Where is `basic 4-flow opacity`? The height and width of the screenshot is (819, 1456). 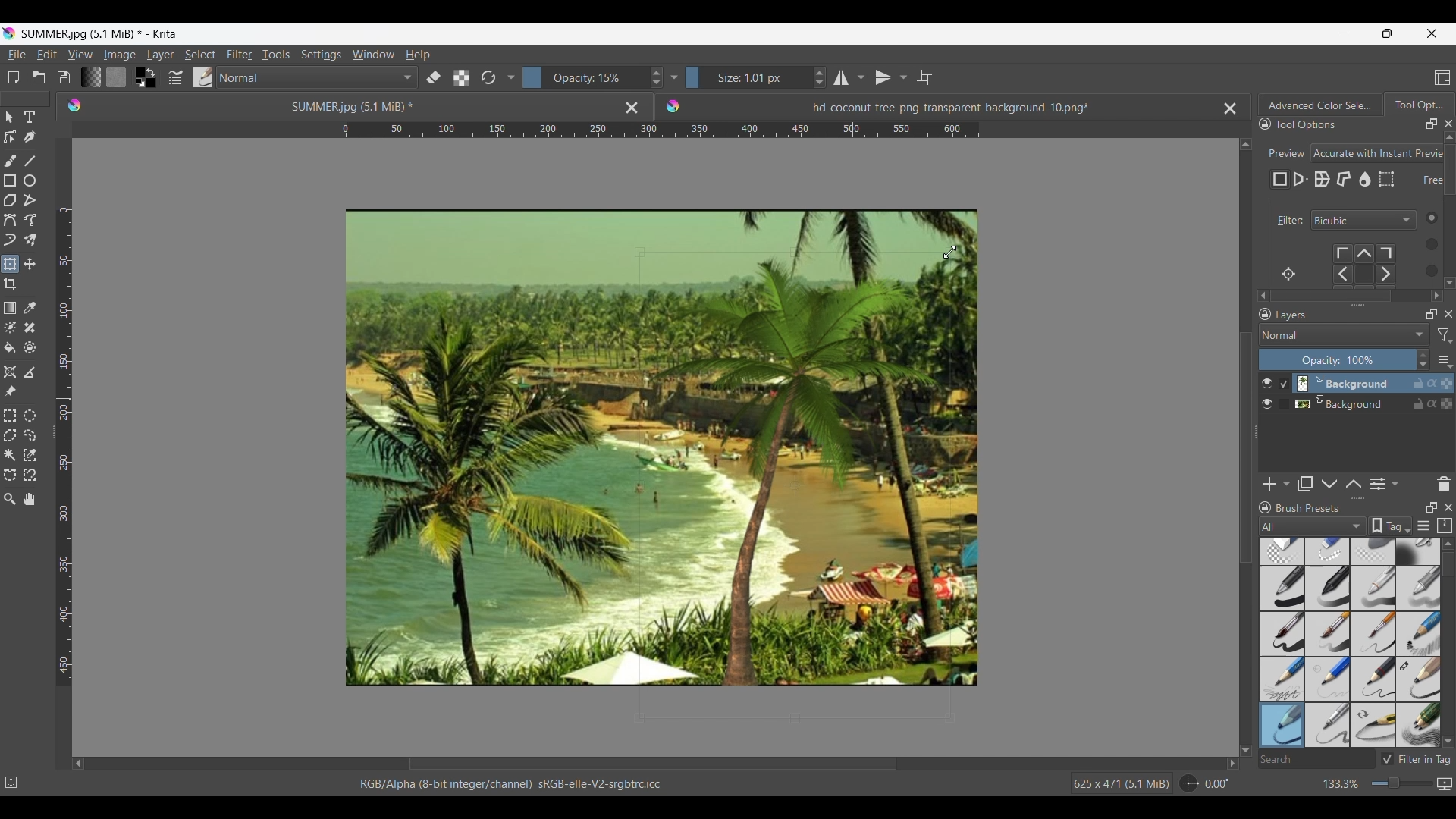
basic 4-flow opacity is located at coordinates (1417, 588).